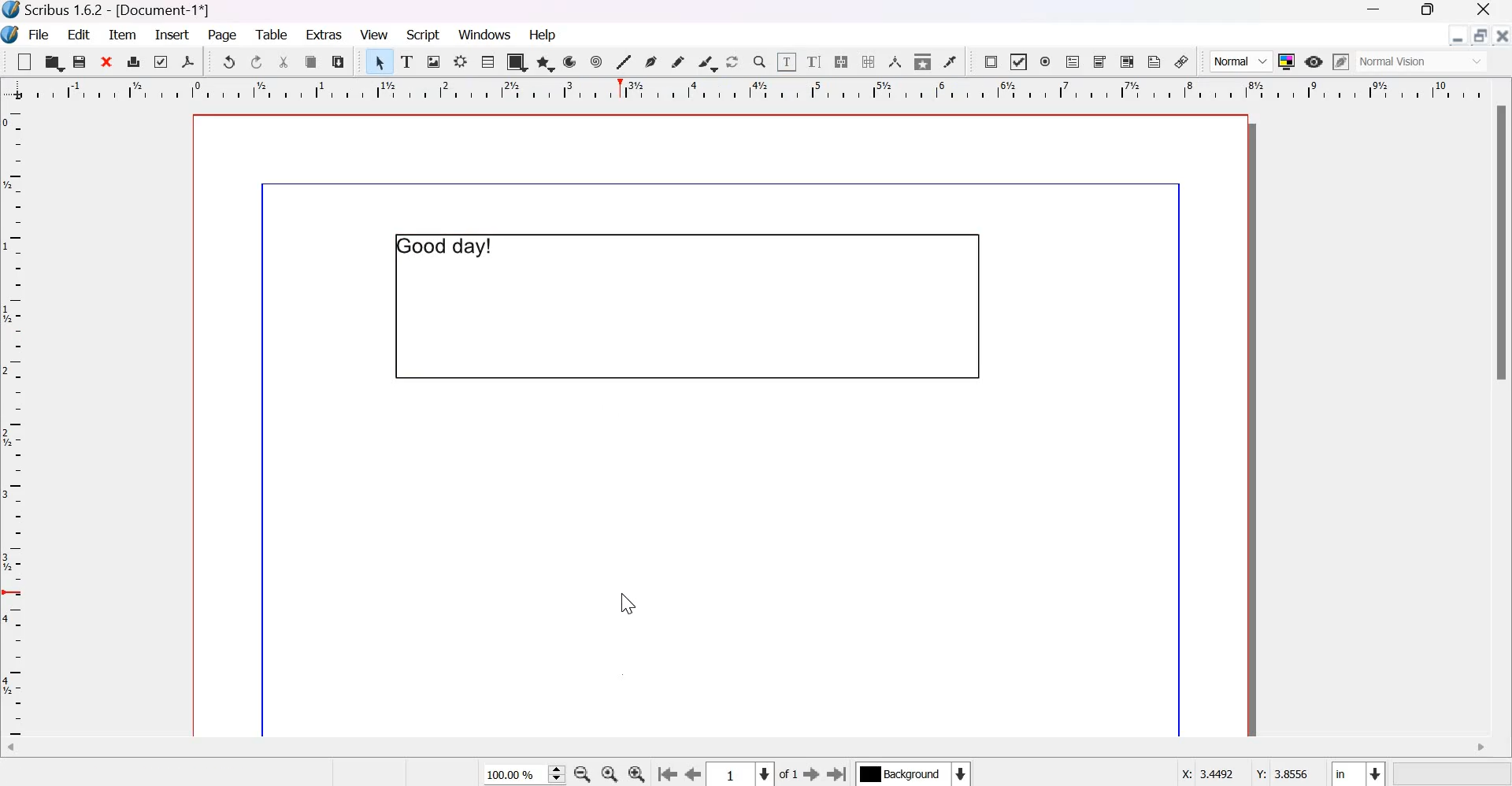 The height and width of the screenshot is (786, 1512). What do you see at coordinates (923, 61) in the screenshot?
I see `copy item properties` at bounding box center [923, 61].